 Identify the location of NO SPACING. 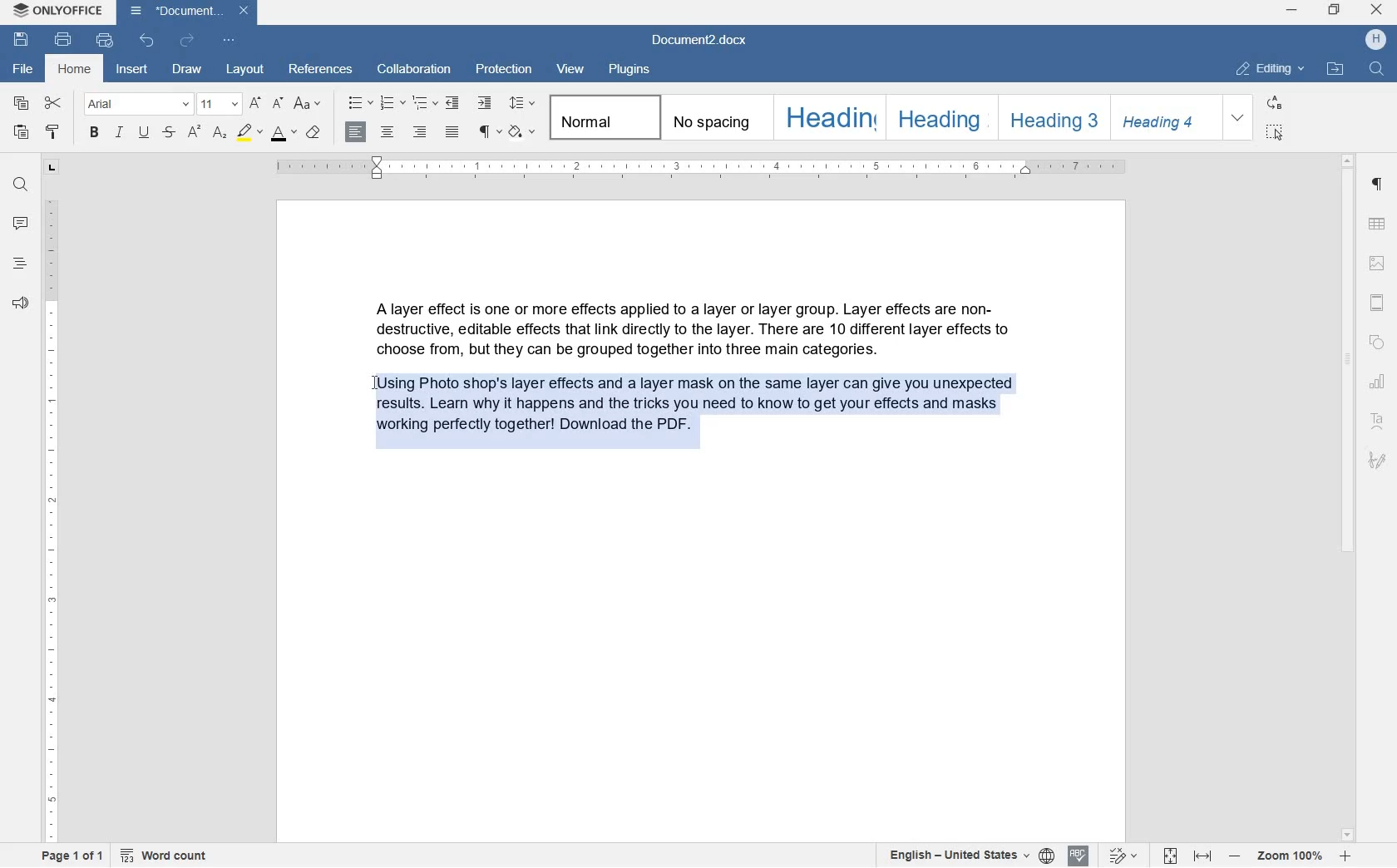
(711, 119).